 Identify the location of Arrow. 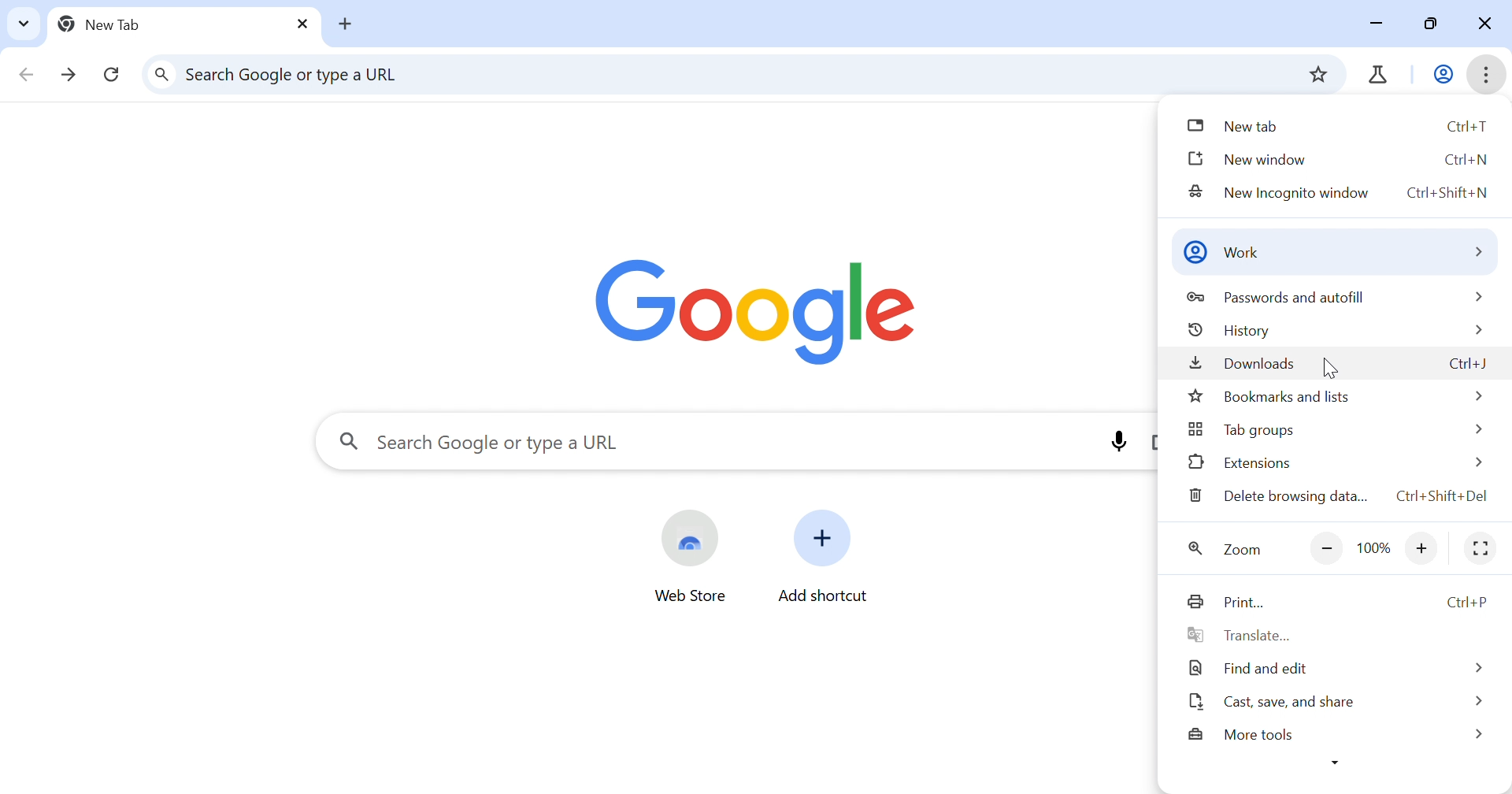
(1476, 429).